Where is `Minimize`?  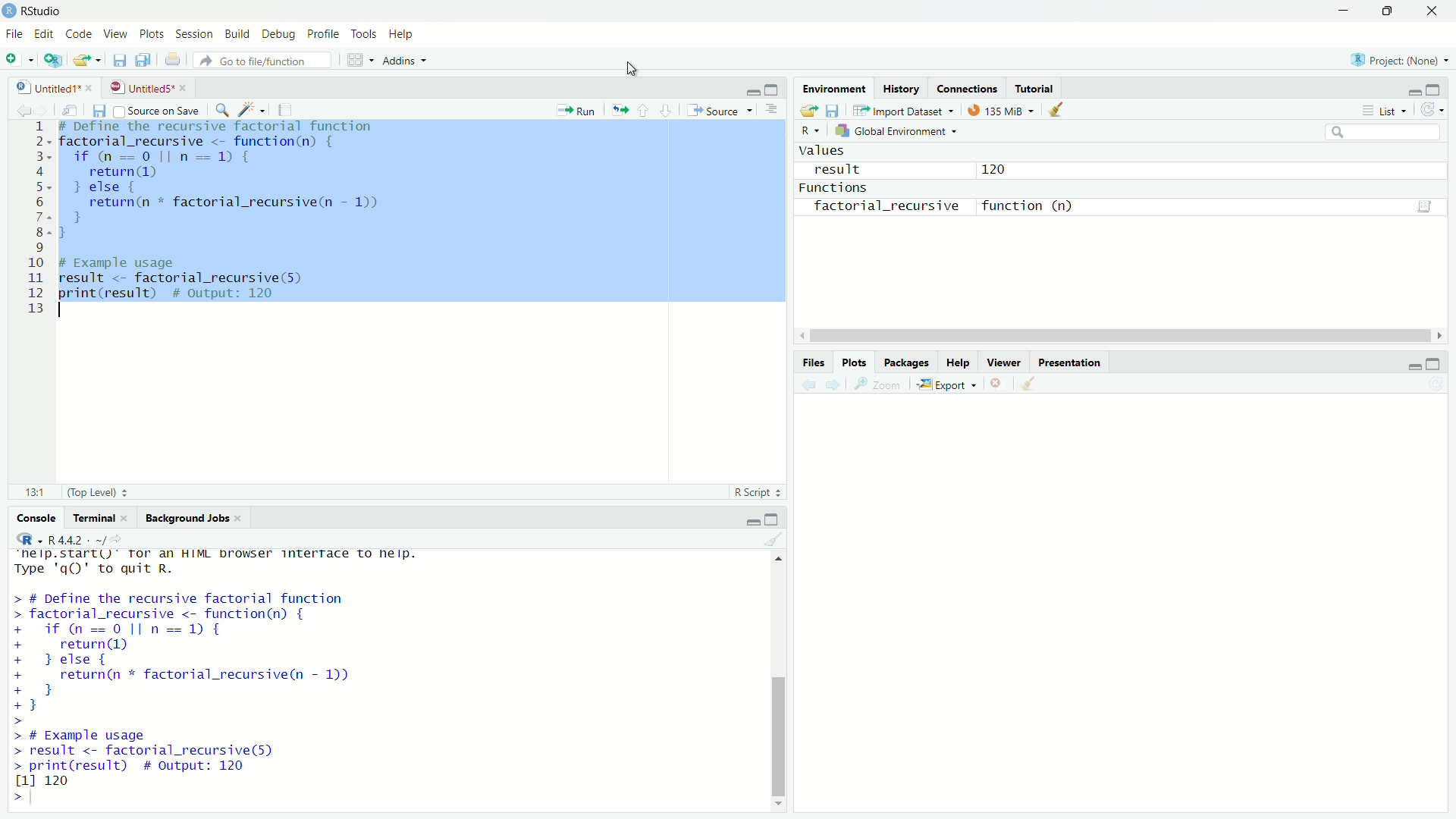
Minimize is located at coordinates (1413, 92).